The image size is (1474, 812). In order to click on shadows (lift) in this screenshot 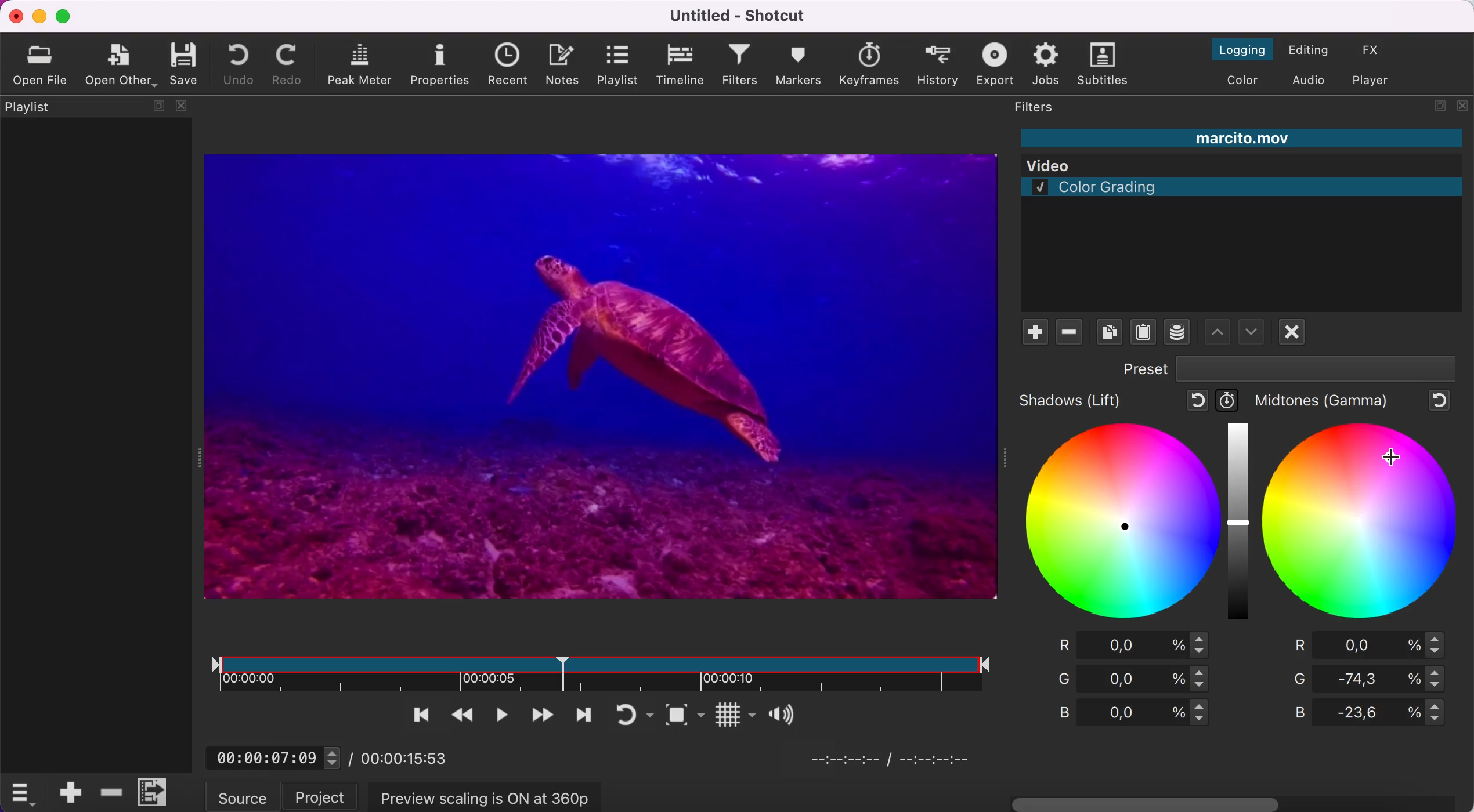, I will do `click(1078, 402)`.